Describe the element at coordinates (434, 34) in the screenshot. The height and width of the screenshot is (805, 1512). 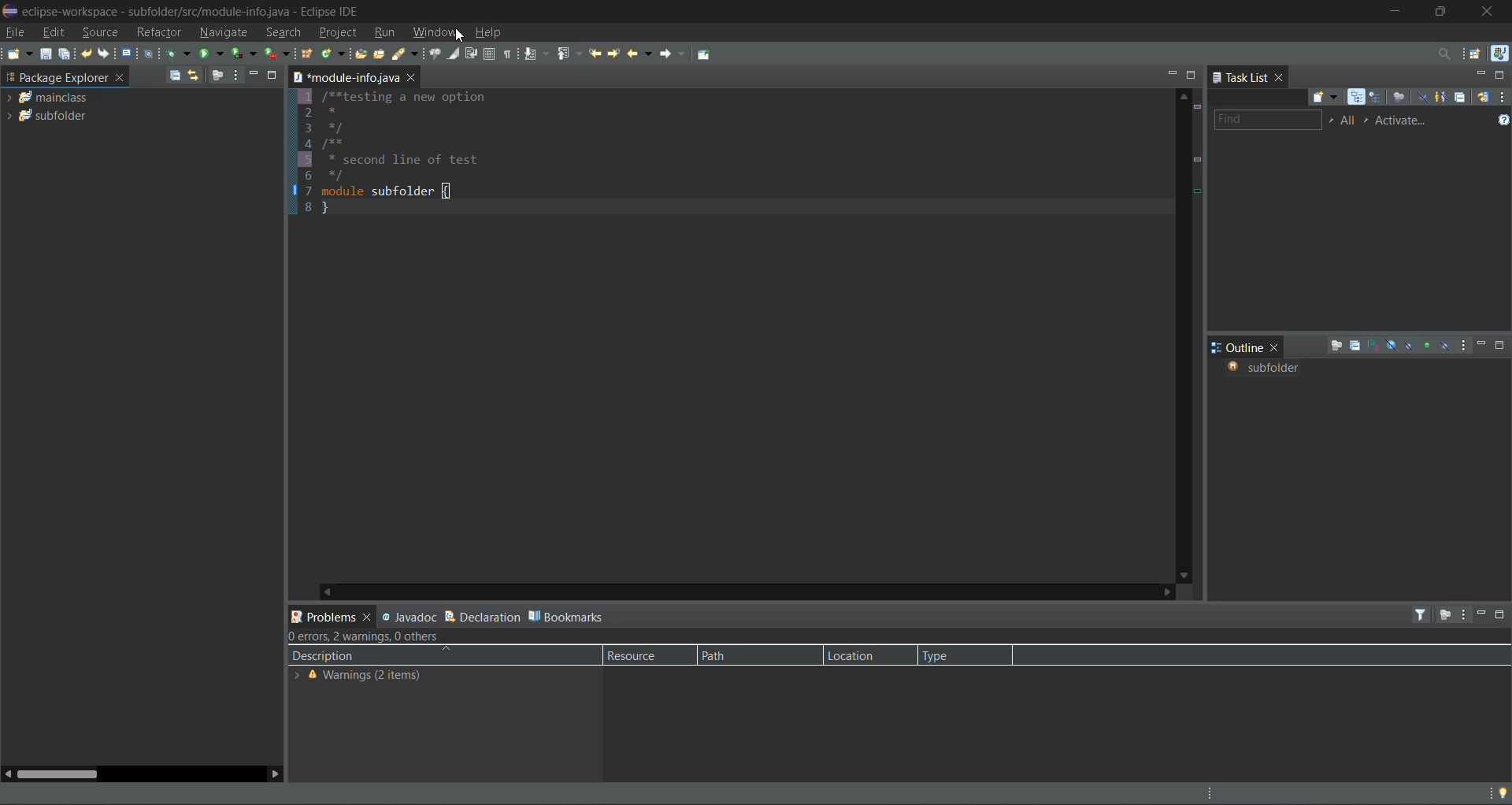
I see `window` at that location.